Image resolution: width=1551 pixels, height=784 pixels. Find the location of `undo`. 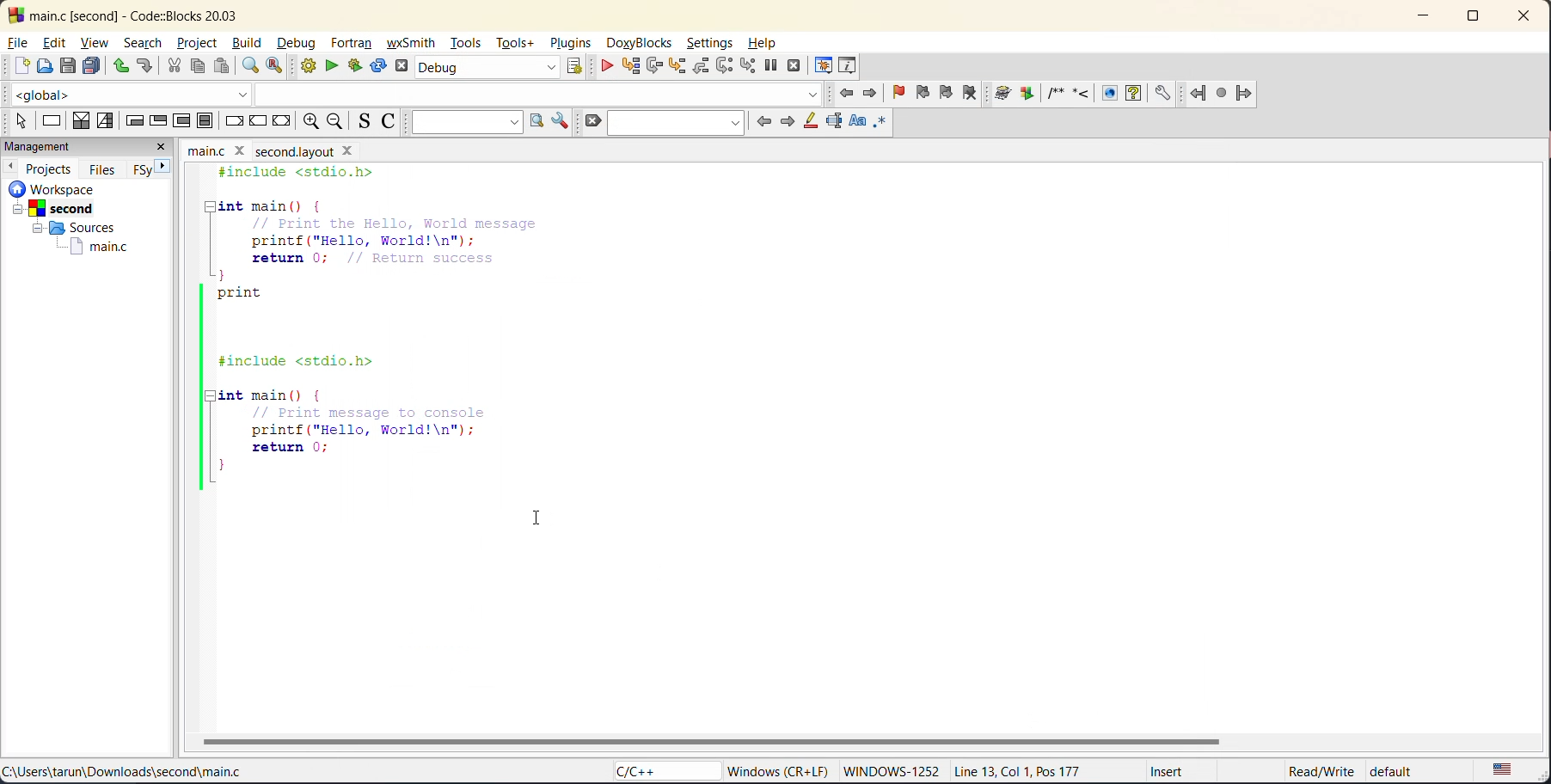

undo is located at coordinates (120, 65).